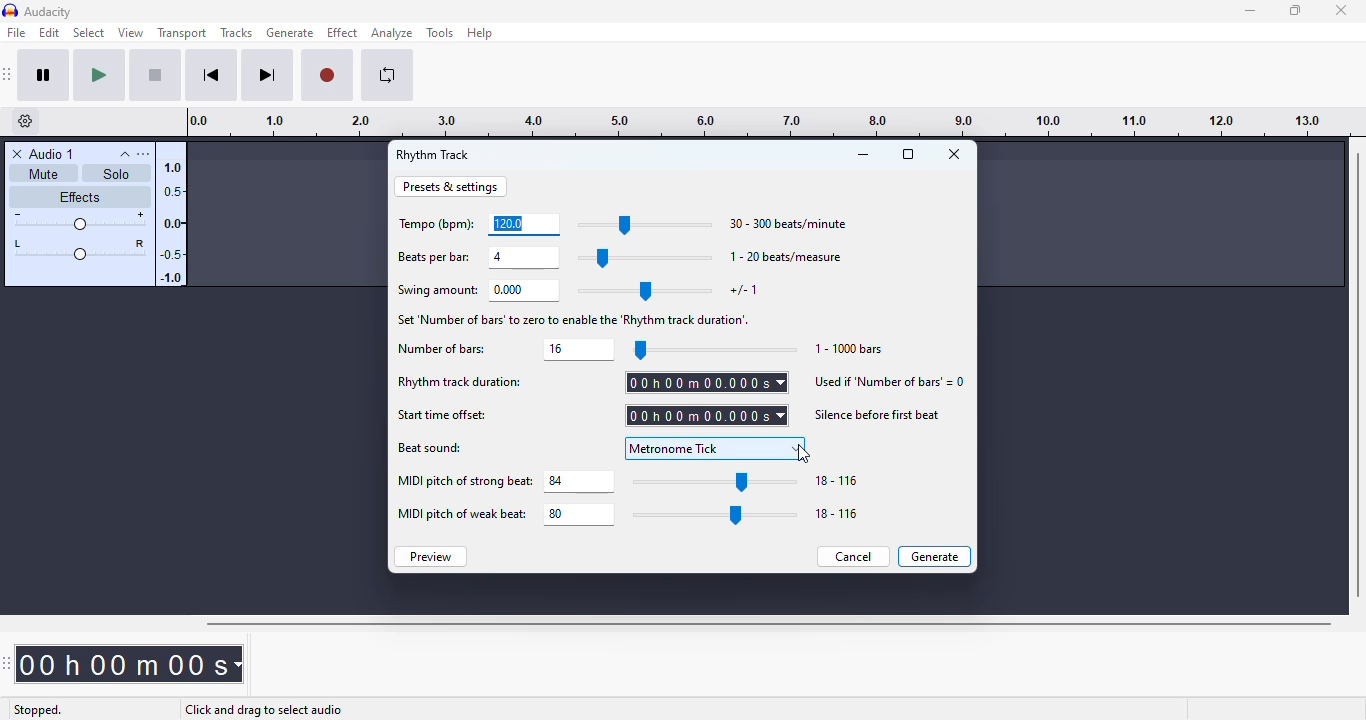  Describe the element at coordinates (837, 513) in the screenshot. I see `18-116` at that location.